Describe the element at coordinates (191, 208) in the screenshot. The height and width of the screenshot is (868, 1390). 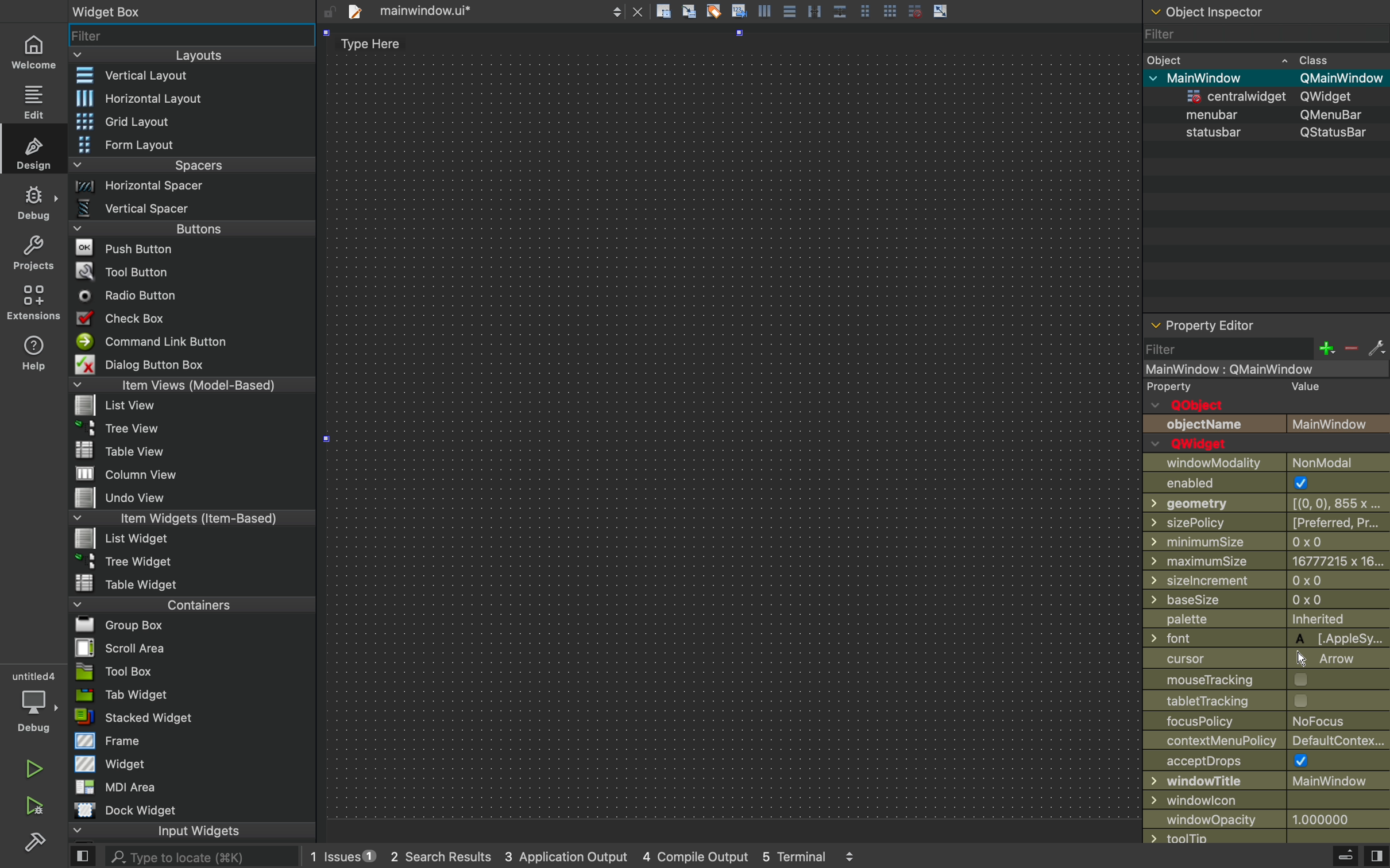
I see `vertical spacer` at that location.